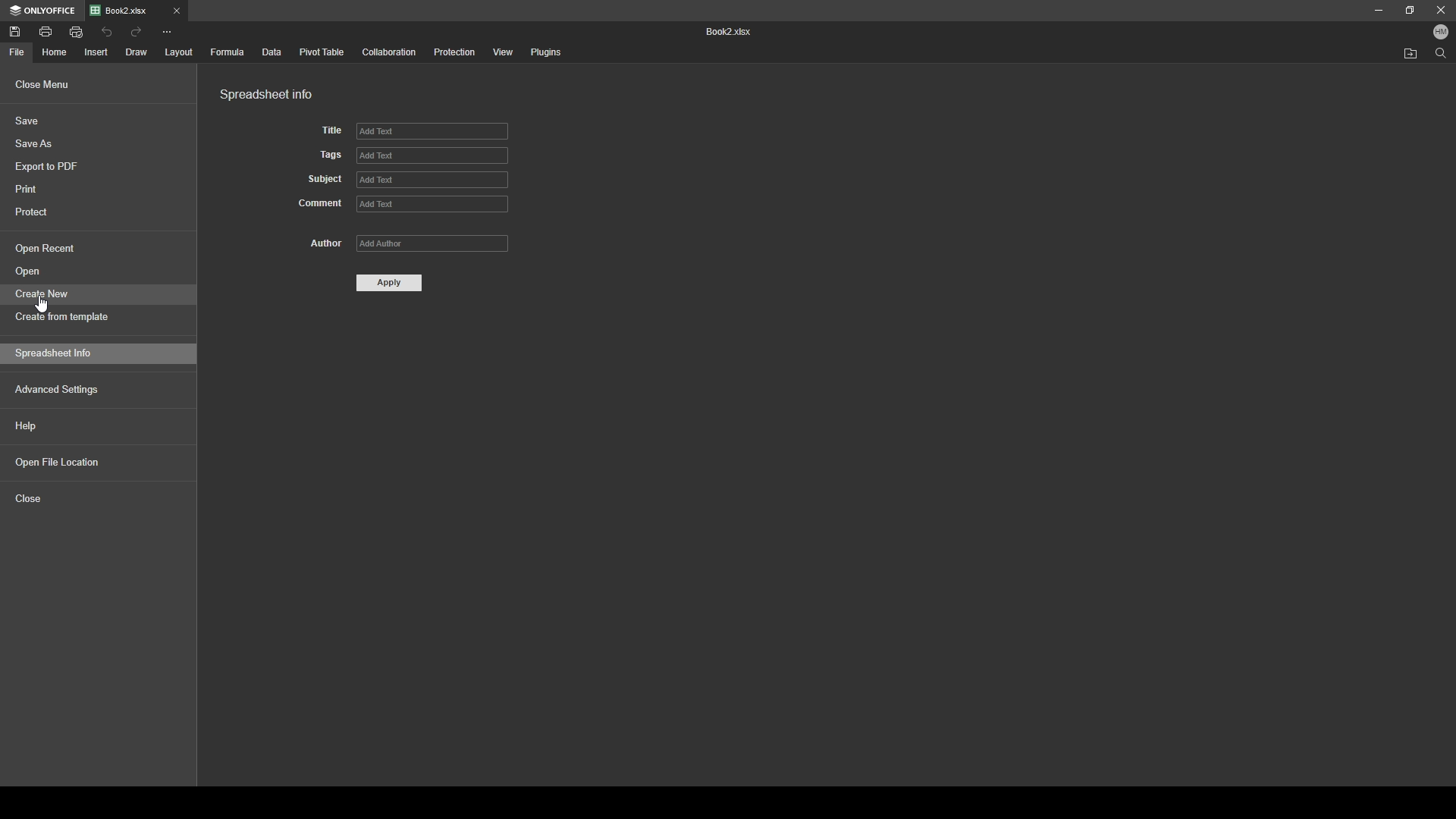 The height and width of the screenshot is (819, 1456). What do you see at coordinates (436, 130) in the screenshot?
I see `add text` at bounding box center [436, 130].